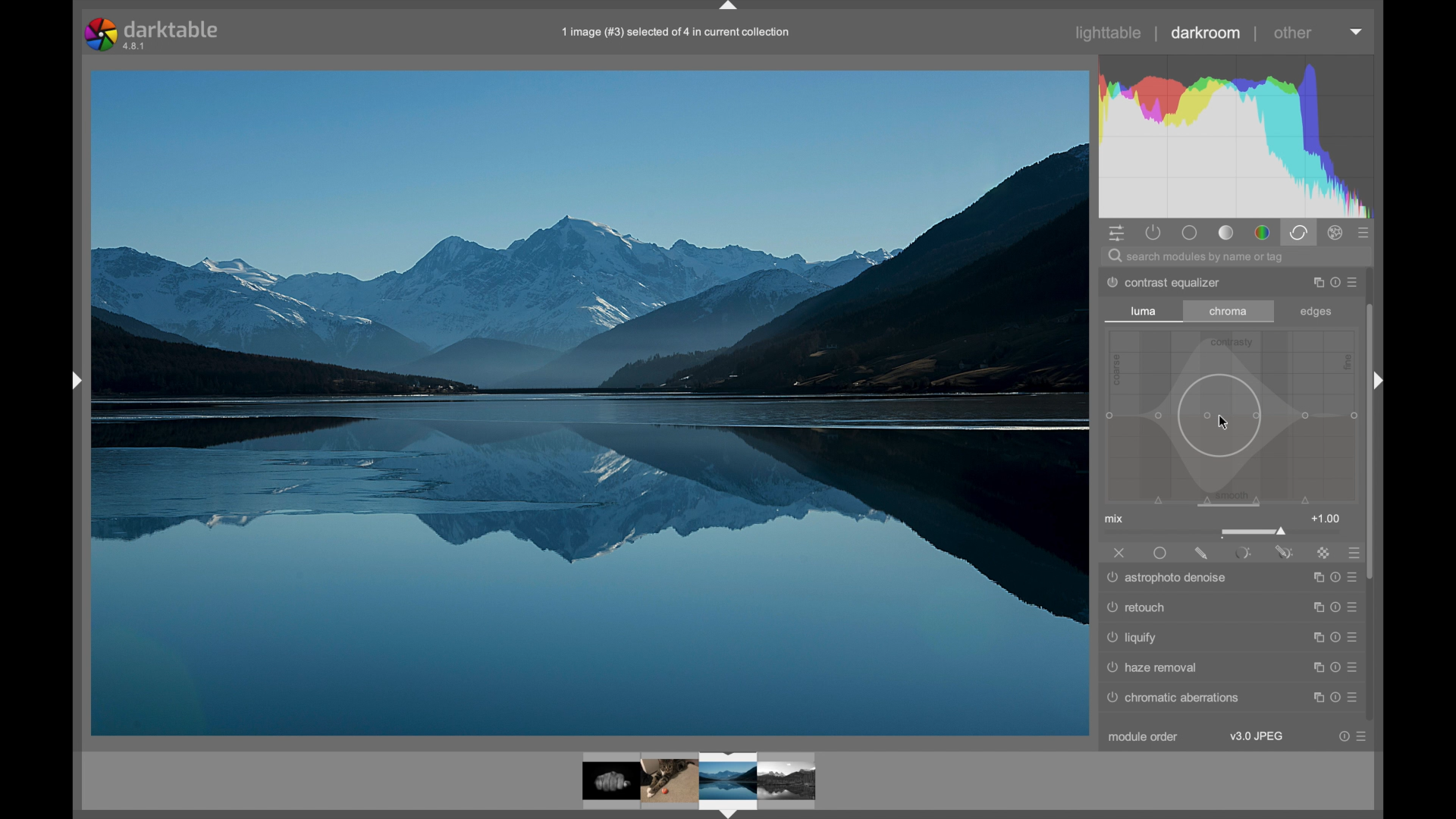  Describe the element at coordinates (1164, 282) in the screenshot. I see `dither posterize` at that location.